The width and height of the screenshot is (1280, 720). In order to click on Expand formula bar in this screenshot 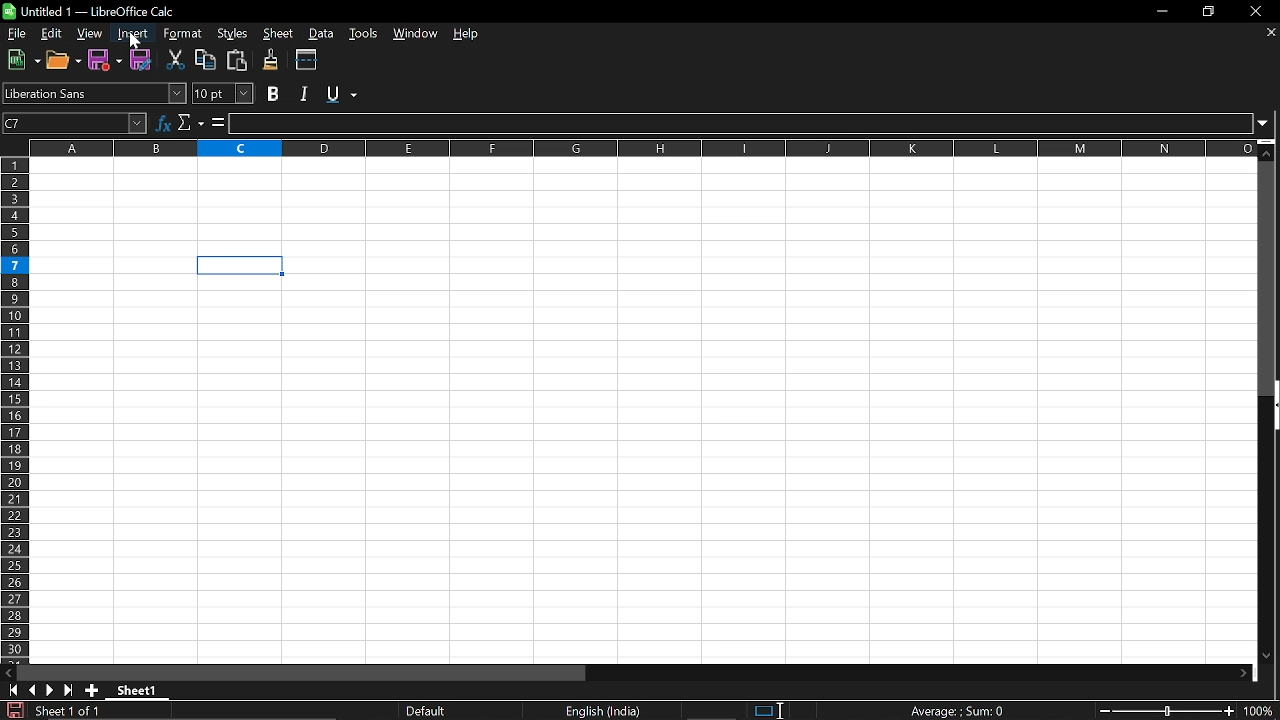, I will do `click(1268, 124)`.